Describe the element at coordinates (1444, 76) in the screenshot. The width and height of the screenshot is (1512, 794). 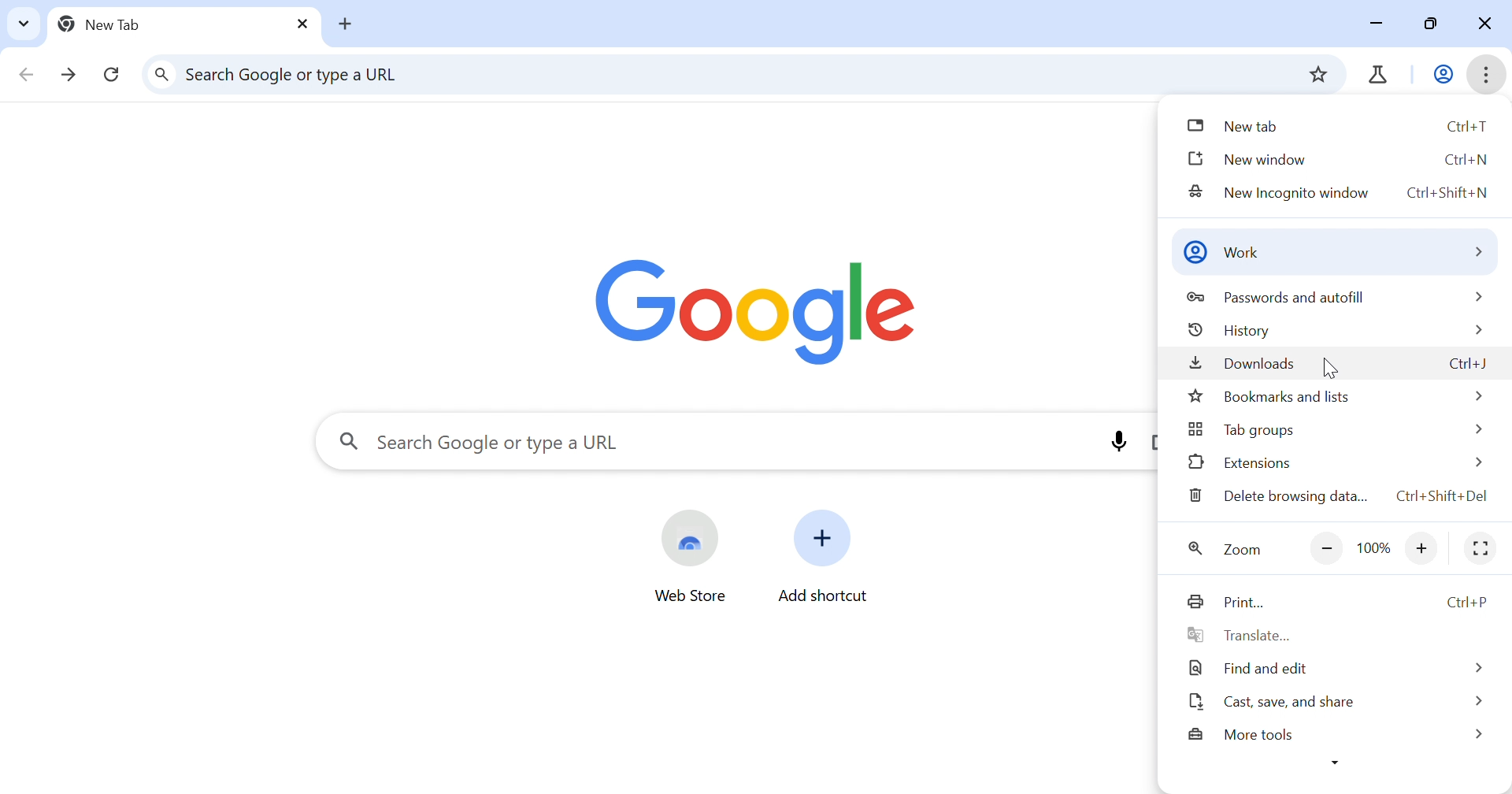
I see `Work` at that location.